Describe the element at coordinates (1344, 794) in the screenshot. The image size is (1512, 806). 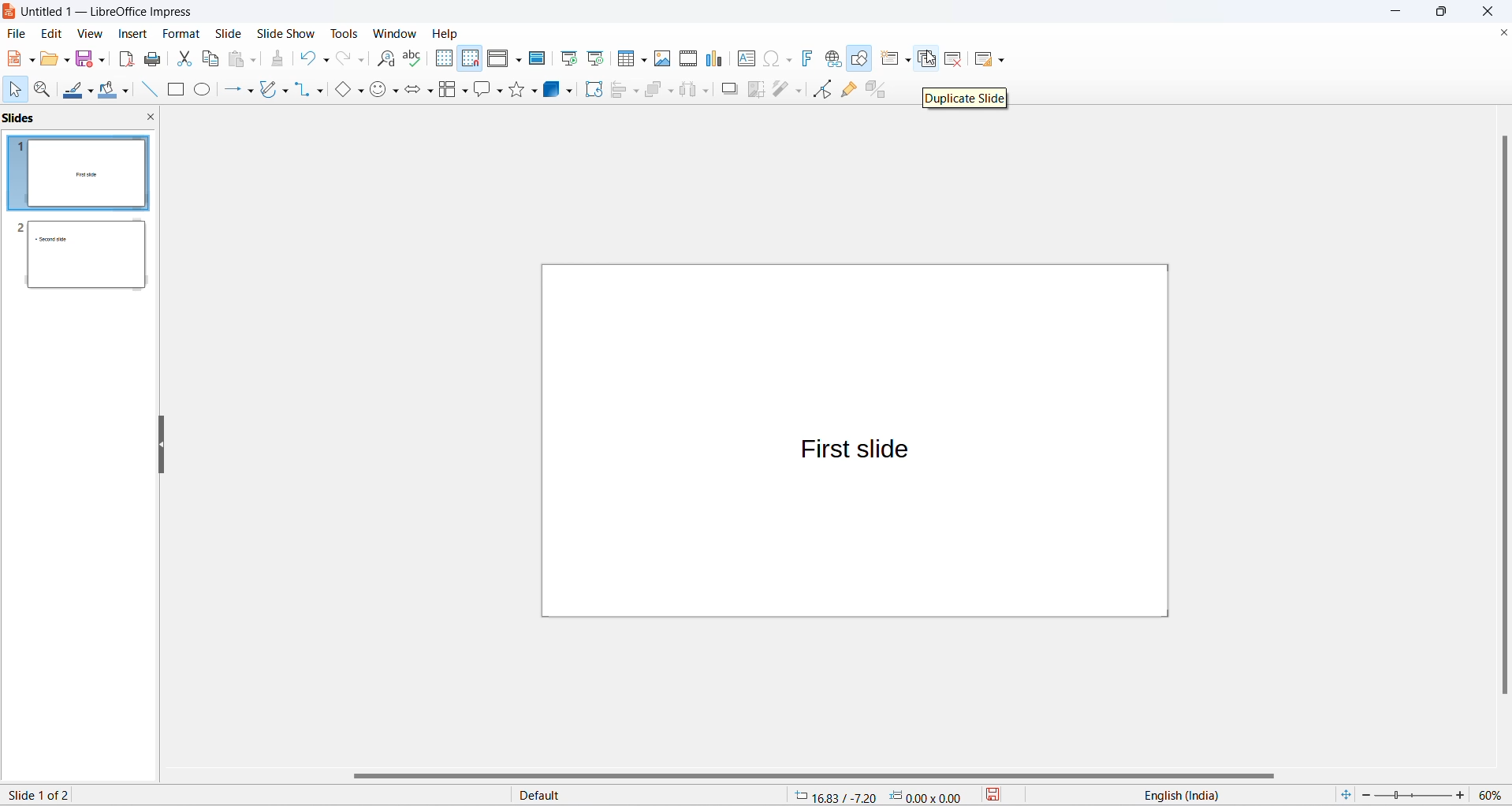
I see `fit slide to current window` at that location.